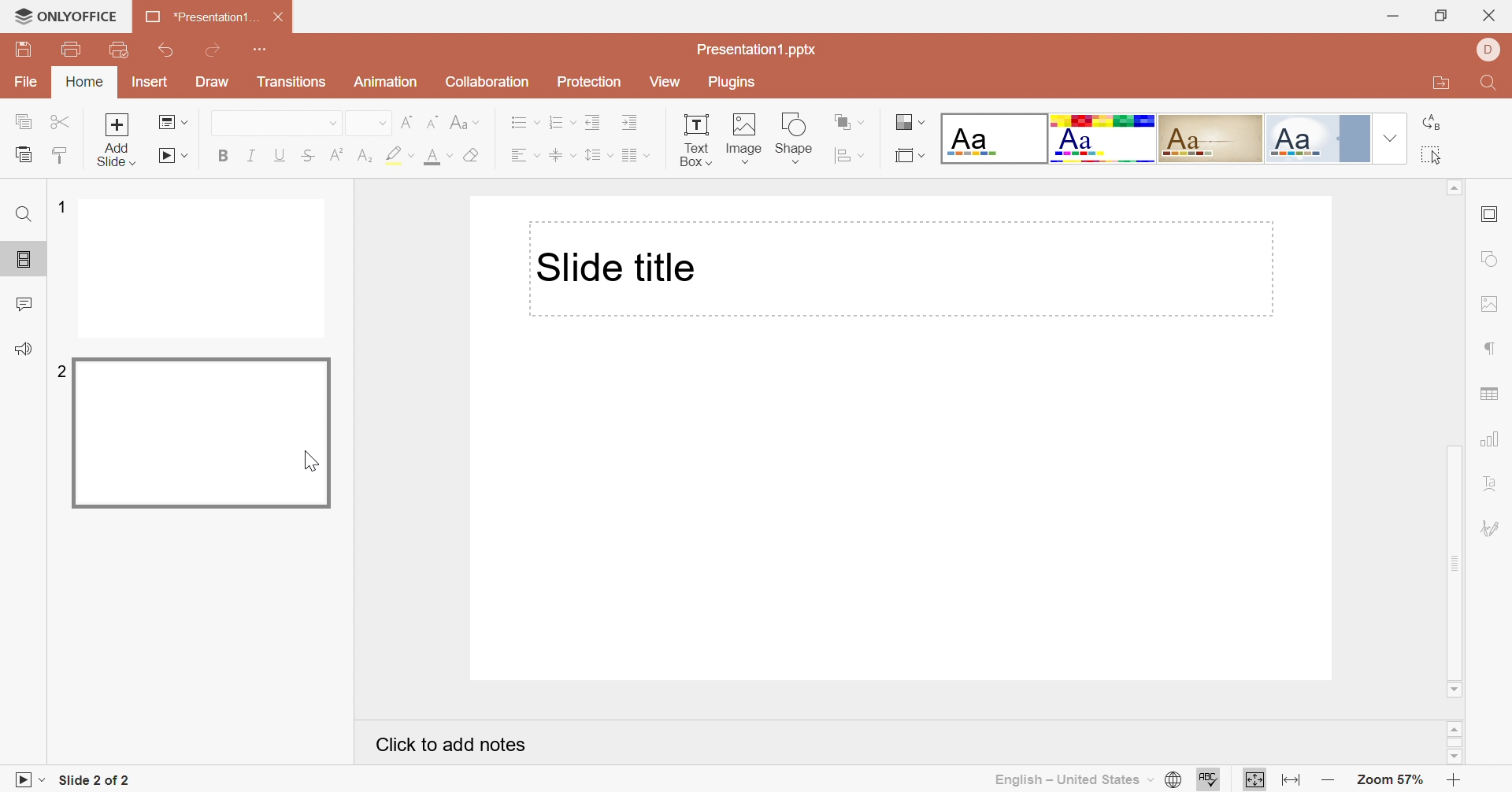 Image resolution: width=1512 pixels, height=792 pixels. What do you see at coordinates (1489, 213) in the screenshot?
I see `Slide settings` at bounding box center [1489, 213].